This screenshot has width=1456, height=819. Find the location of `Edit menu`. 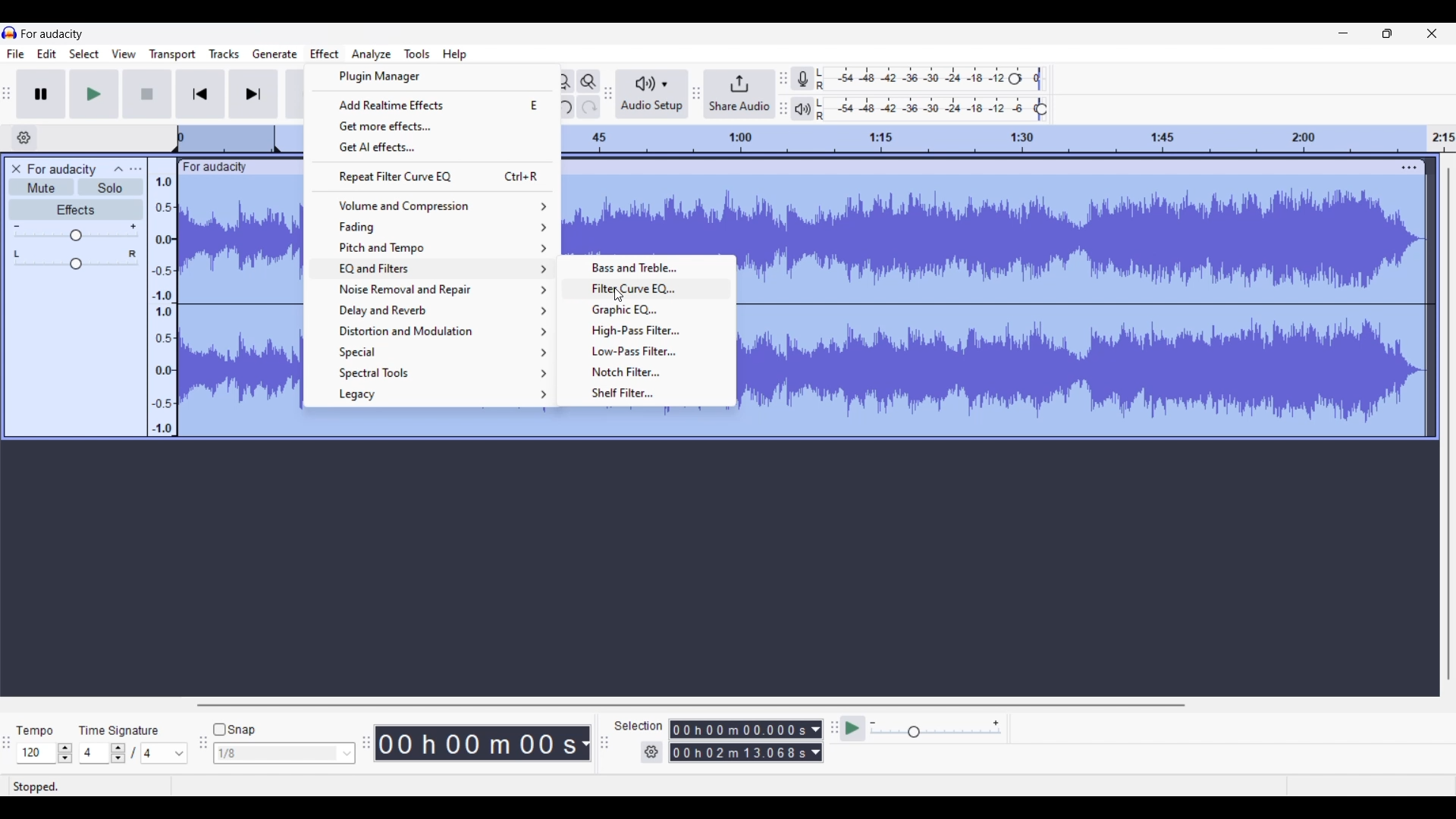

Edit menu is located at coordinates (47, 55).